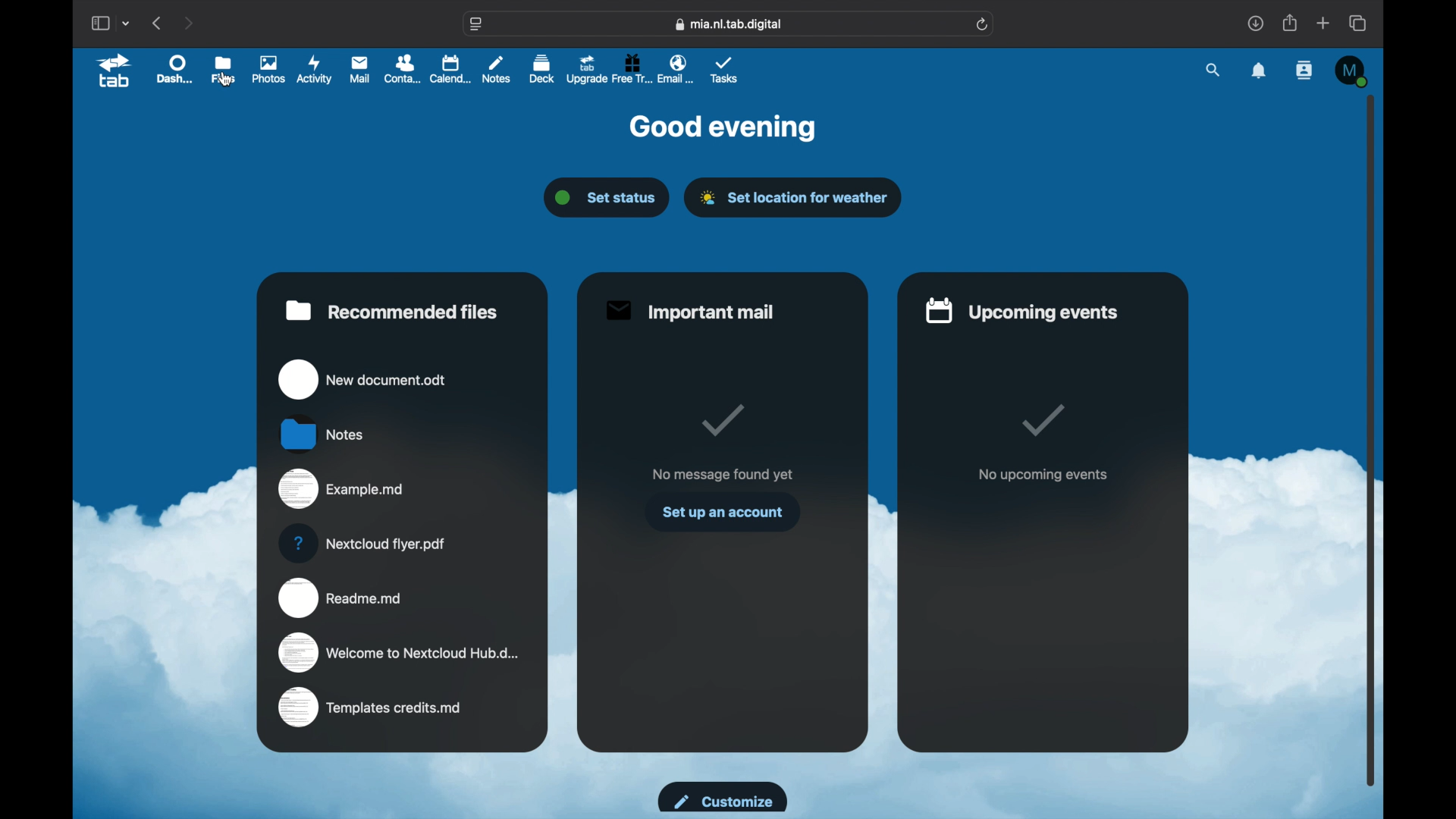 This screenshot has width=1456, height=819. What do you see at coordinates (606, 198) in the screenshot?
I see `set status` at bounding box center [606, 198].